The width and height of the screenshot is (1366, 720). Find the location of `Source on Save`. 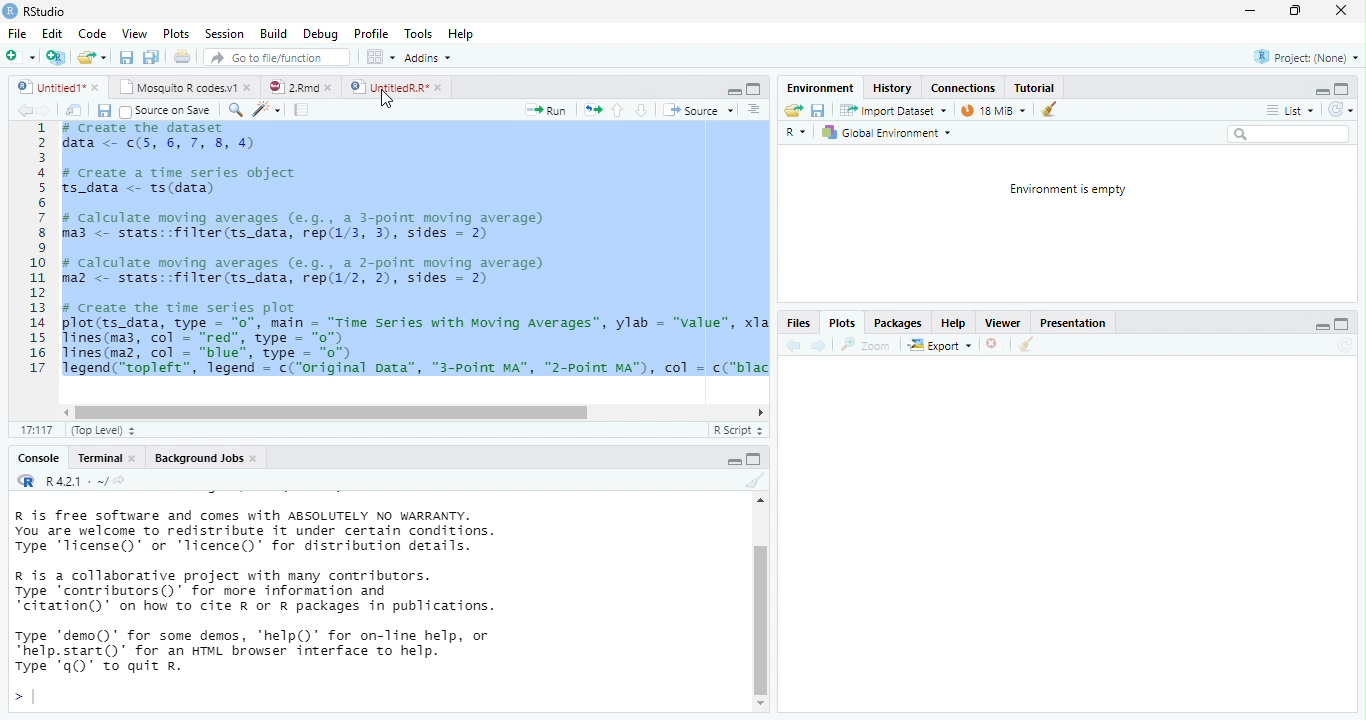

Source on Save is located at coordinates (164, 111).